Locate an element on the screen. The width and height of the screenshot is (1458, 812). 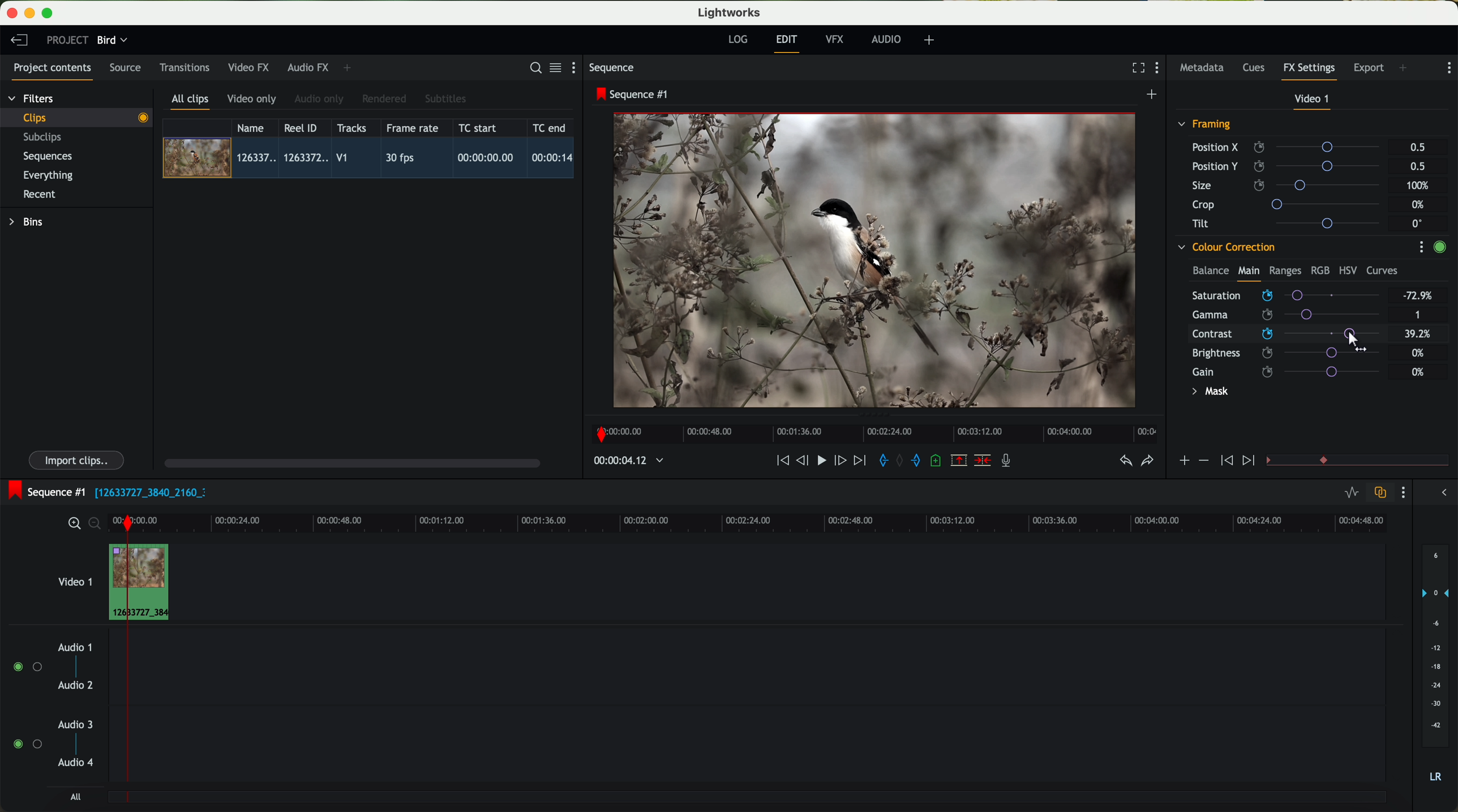
cues is located at coordinates (1257, 68).